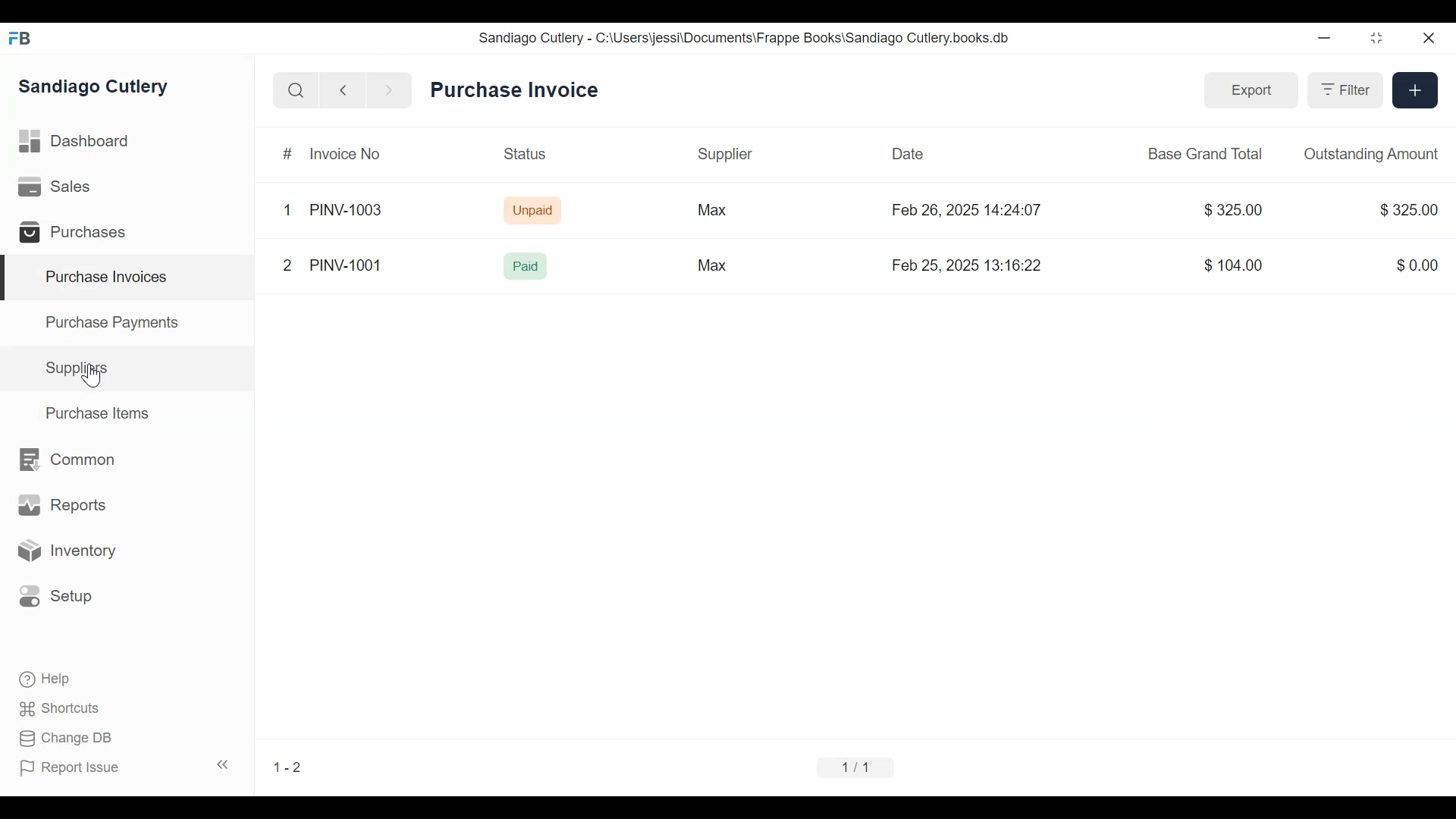 The height and width of the screenshot is (819, 1456). I want to click on Change DB, so click(72, 737).